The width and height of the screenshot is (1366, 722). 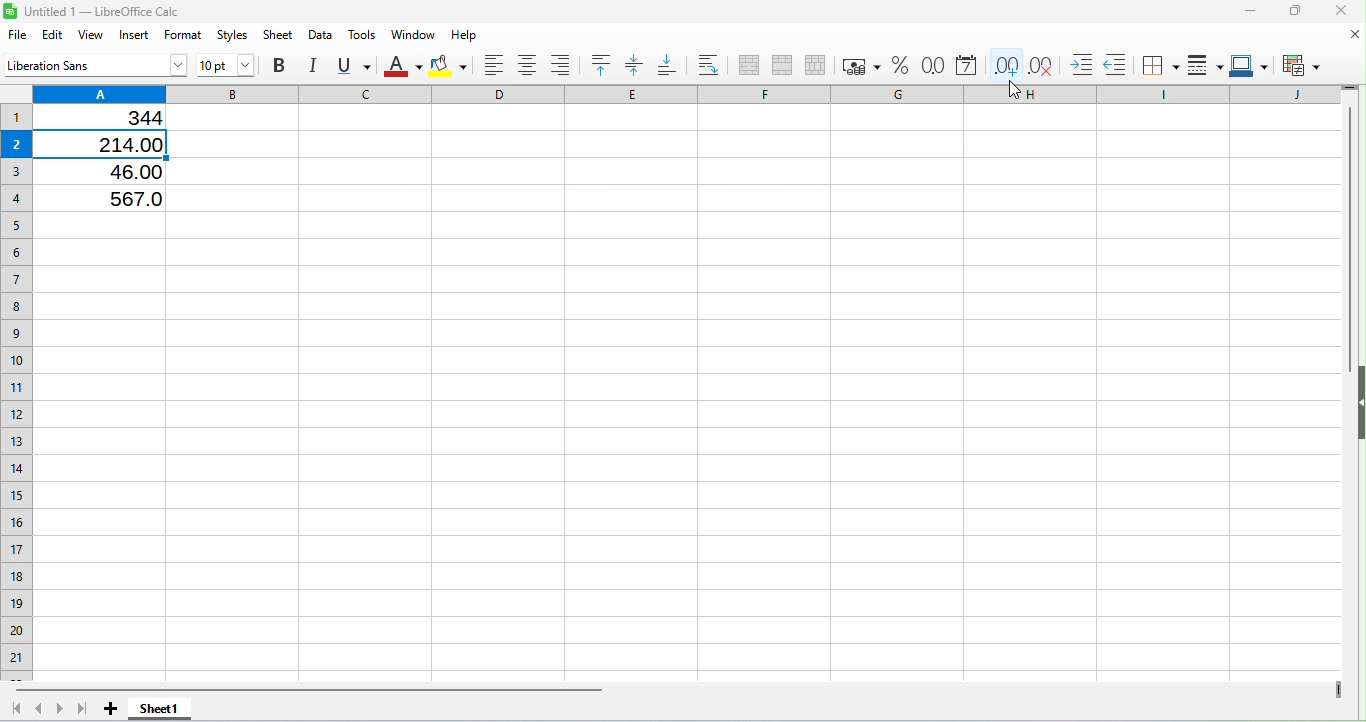 What do you see at coordinates (497, 66) in the screenshot?
I see `Align left` at bounding box center [497, 66].